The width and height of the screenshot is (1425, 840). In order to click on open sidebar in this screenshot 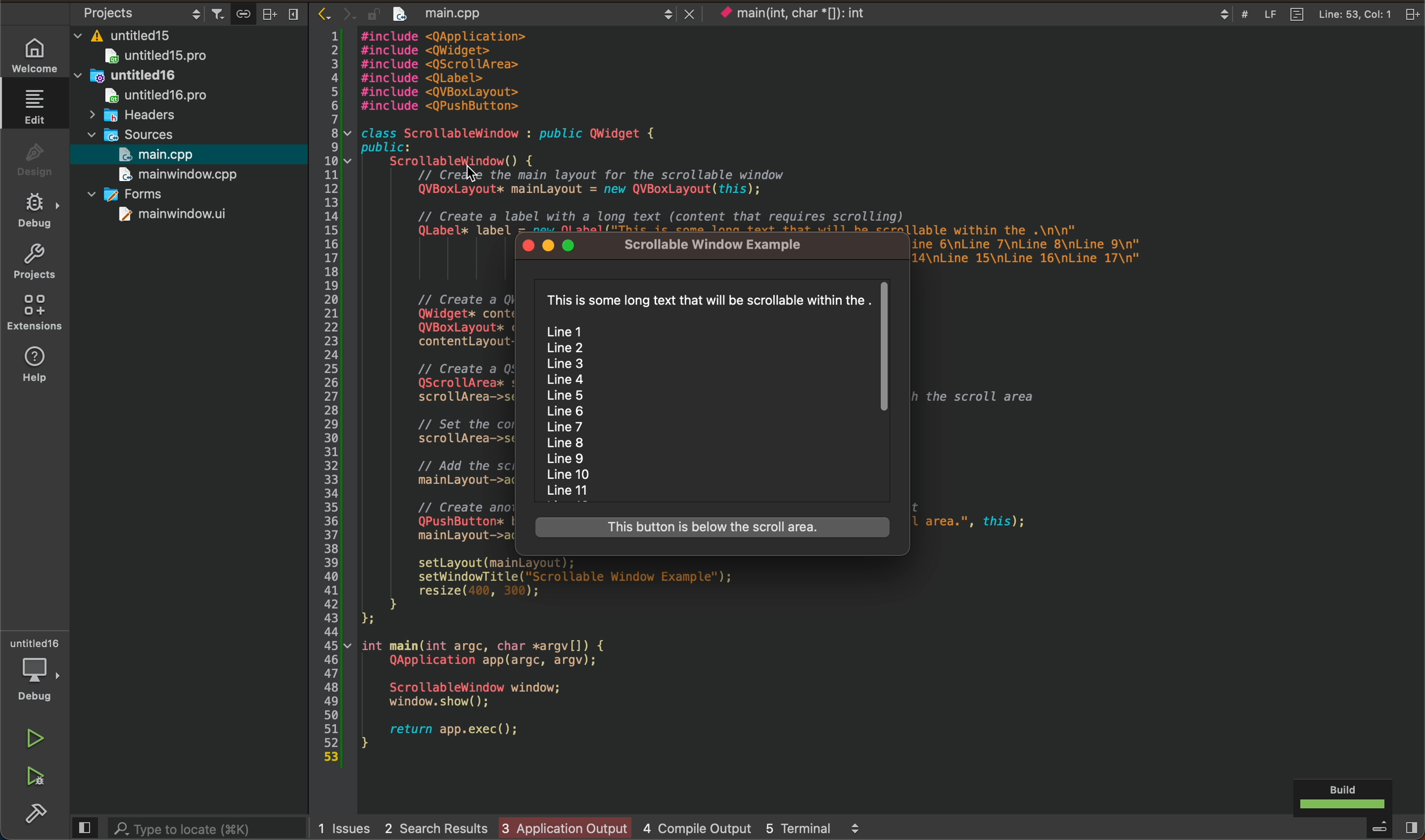, I will do `click(1382, 829)`.